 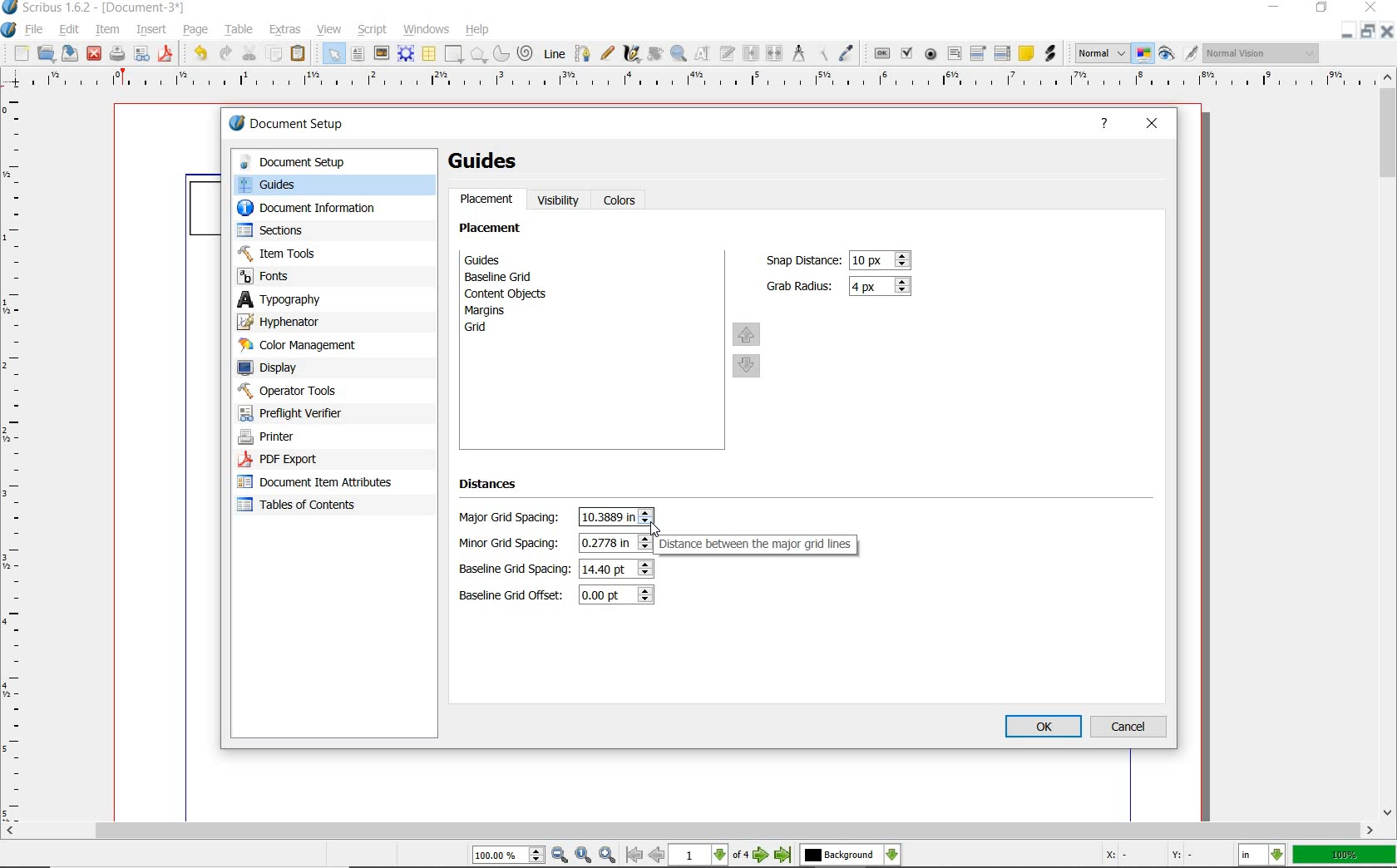 I want to click on document setup, so click(x=332, y=162).